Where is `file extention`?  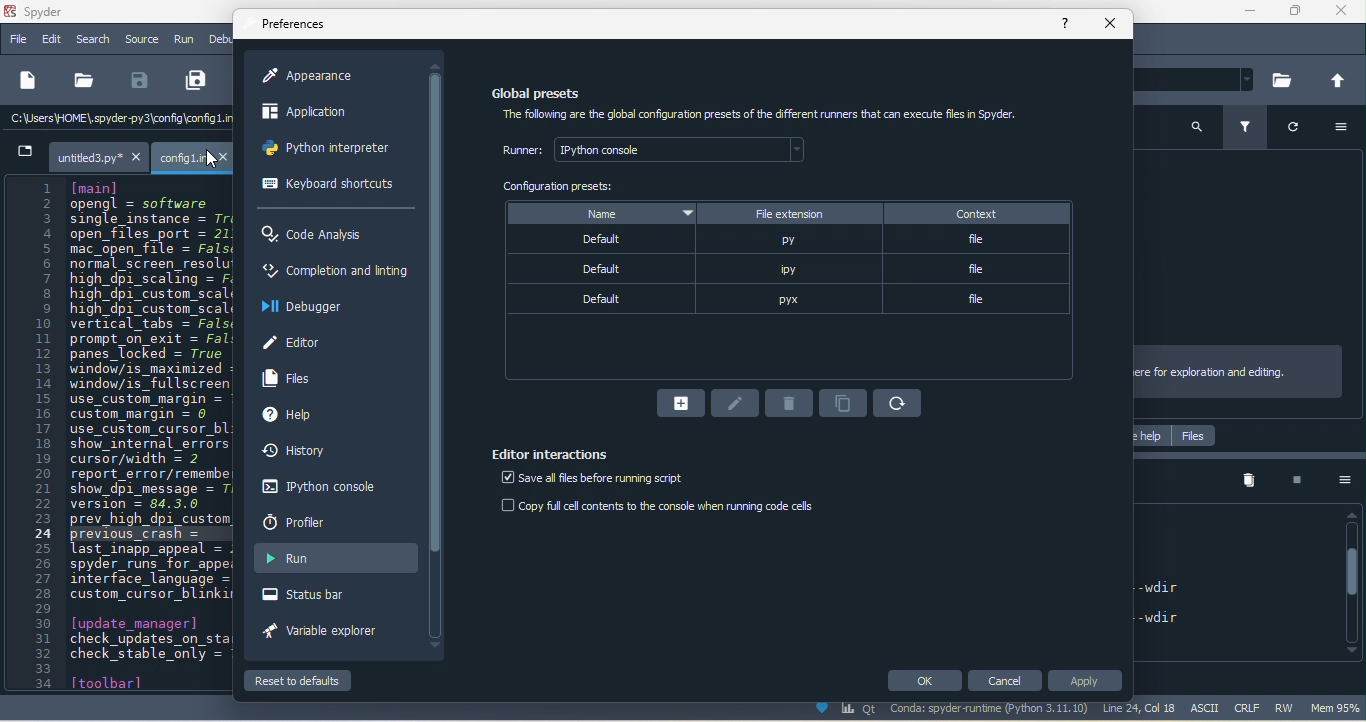 file extention is located at coordinates (790, 212).